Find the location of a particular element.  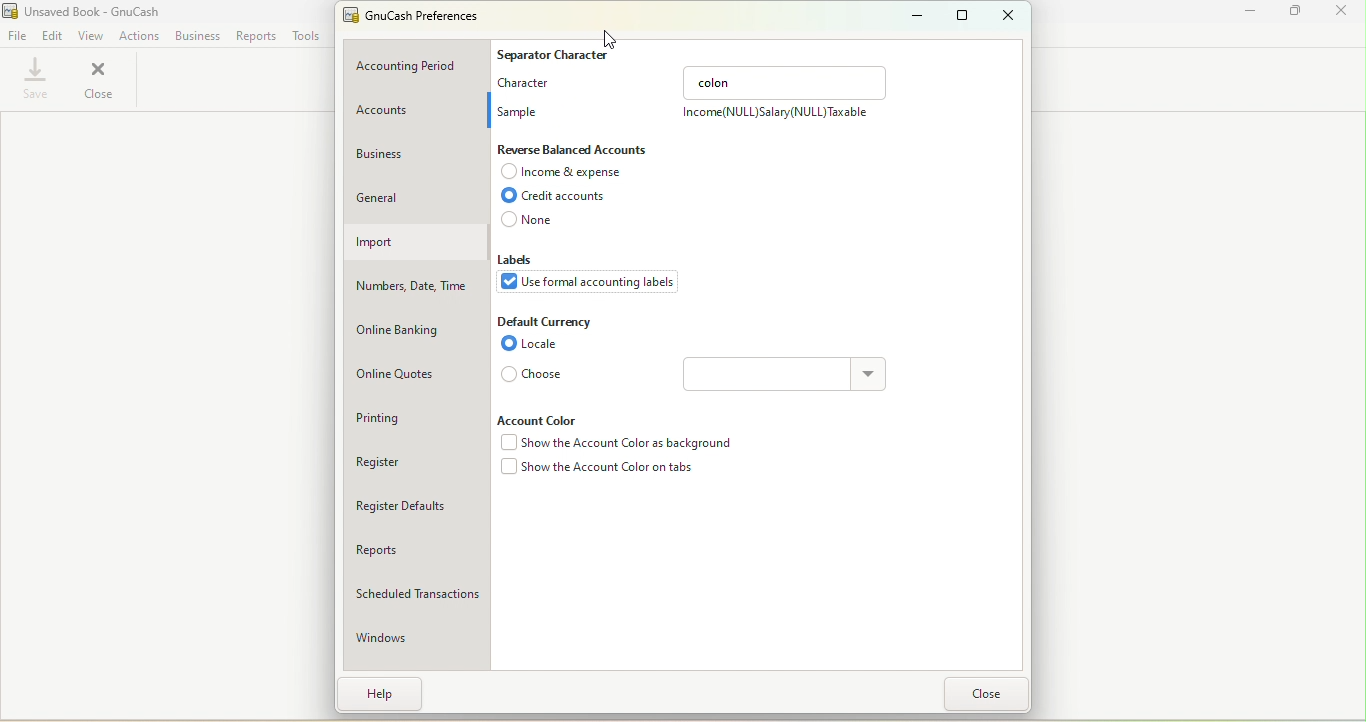

View is located at coordinates (92, 33).